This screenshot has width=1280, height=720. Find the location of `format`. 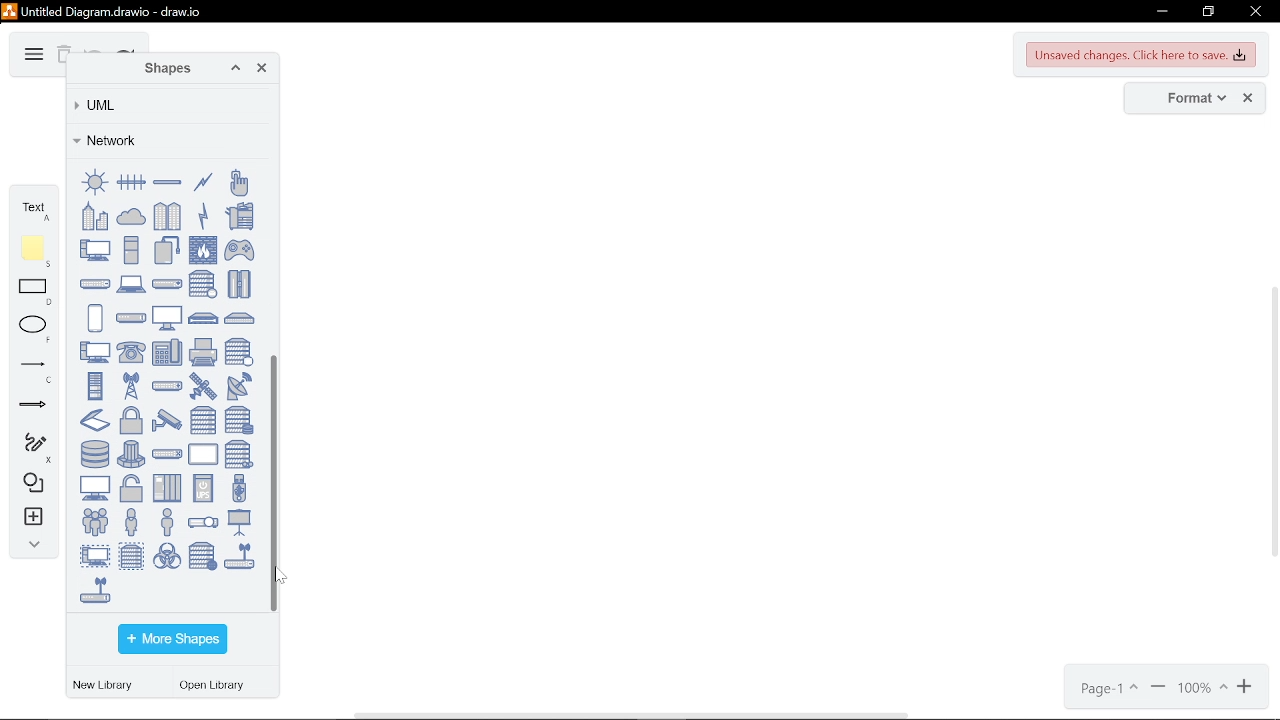

format is located at coordinates (1190, 99).